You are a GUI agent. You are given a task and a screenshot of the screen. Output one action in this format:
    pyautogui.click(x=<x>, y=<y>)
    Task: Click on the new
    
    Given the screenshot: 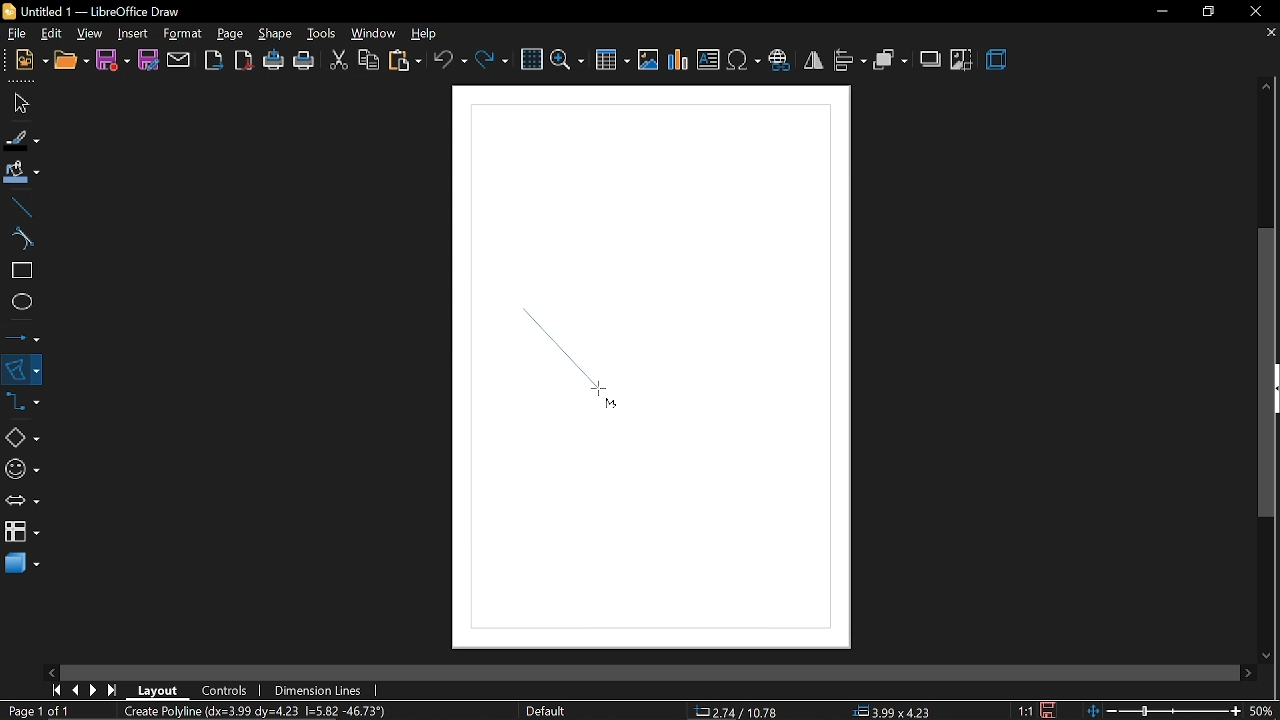 What is the action you would take?
    pyautogui.click(x=32, y=60)
    